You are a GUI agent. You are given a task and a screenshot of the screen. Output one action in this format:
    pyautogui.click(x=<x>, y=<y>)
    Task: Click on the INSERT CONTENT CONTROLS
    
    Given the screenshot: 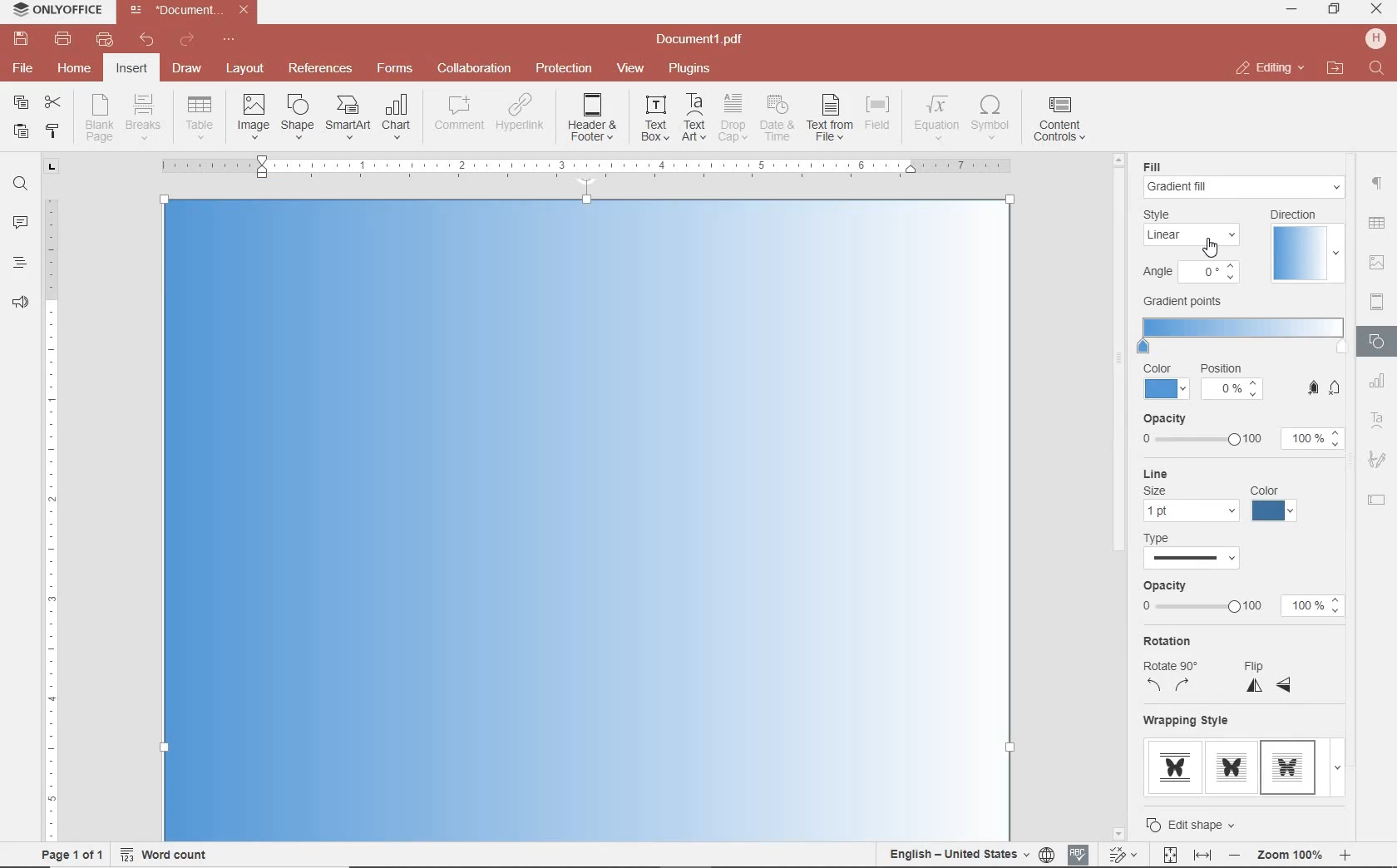 What is the action you would take?
    pyautogui.click(x=1059, y=120)
    